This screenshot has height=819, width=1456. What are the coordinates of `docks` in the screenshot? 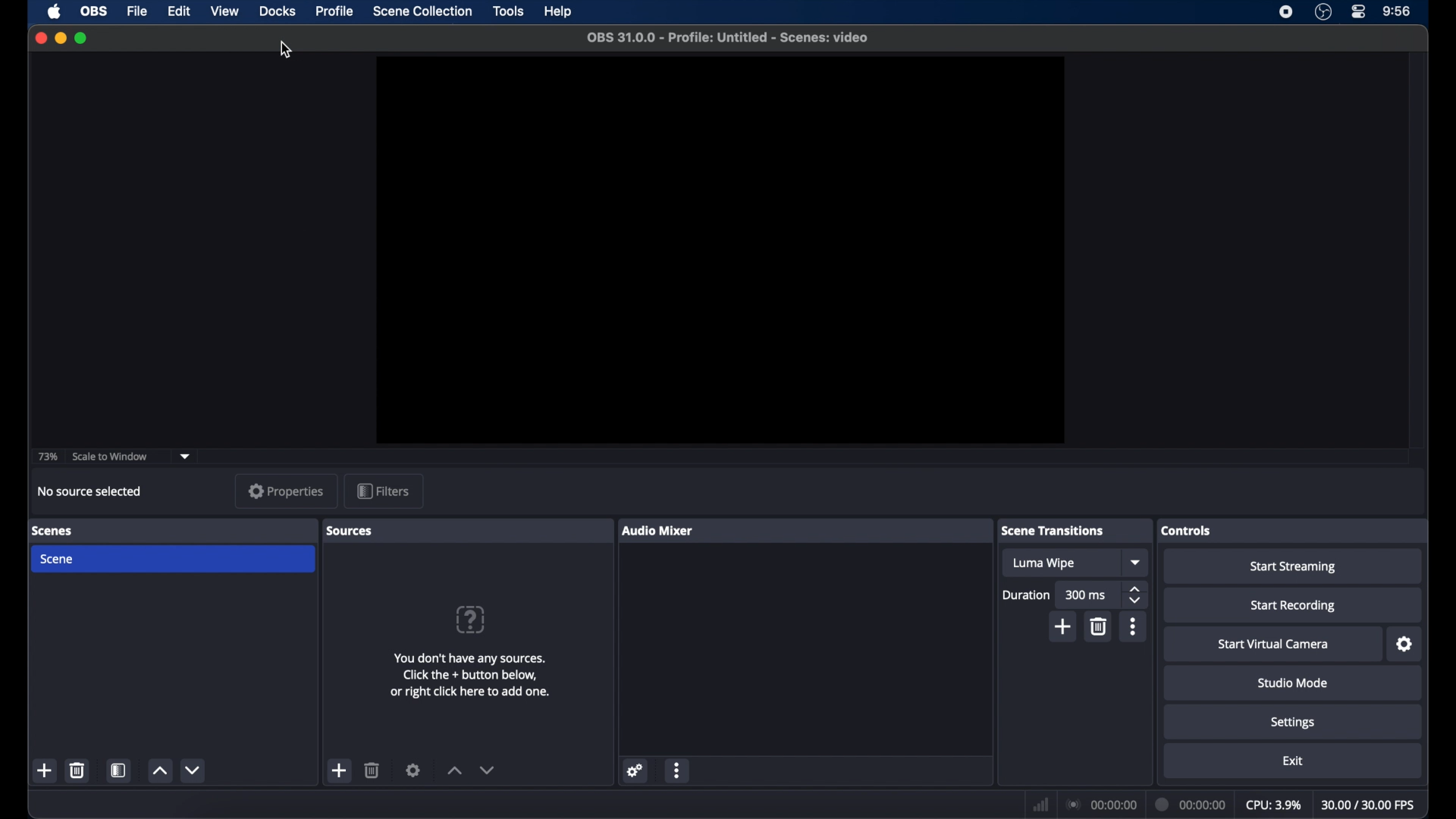 It's located at (277, 11).